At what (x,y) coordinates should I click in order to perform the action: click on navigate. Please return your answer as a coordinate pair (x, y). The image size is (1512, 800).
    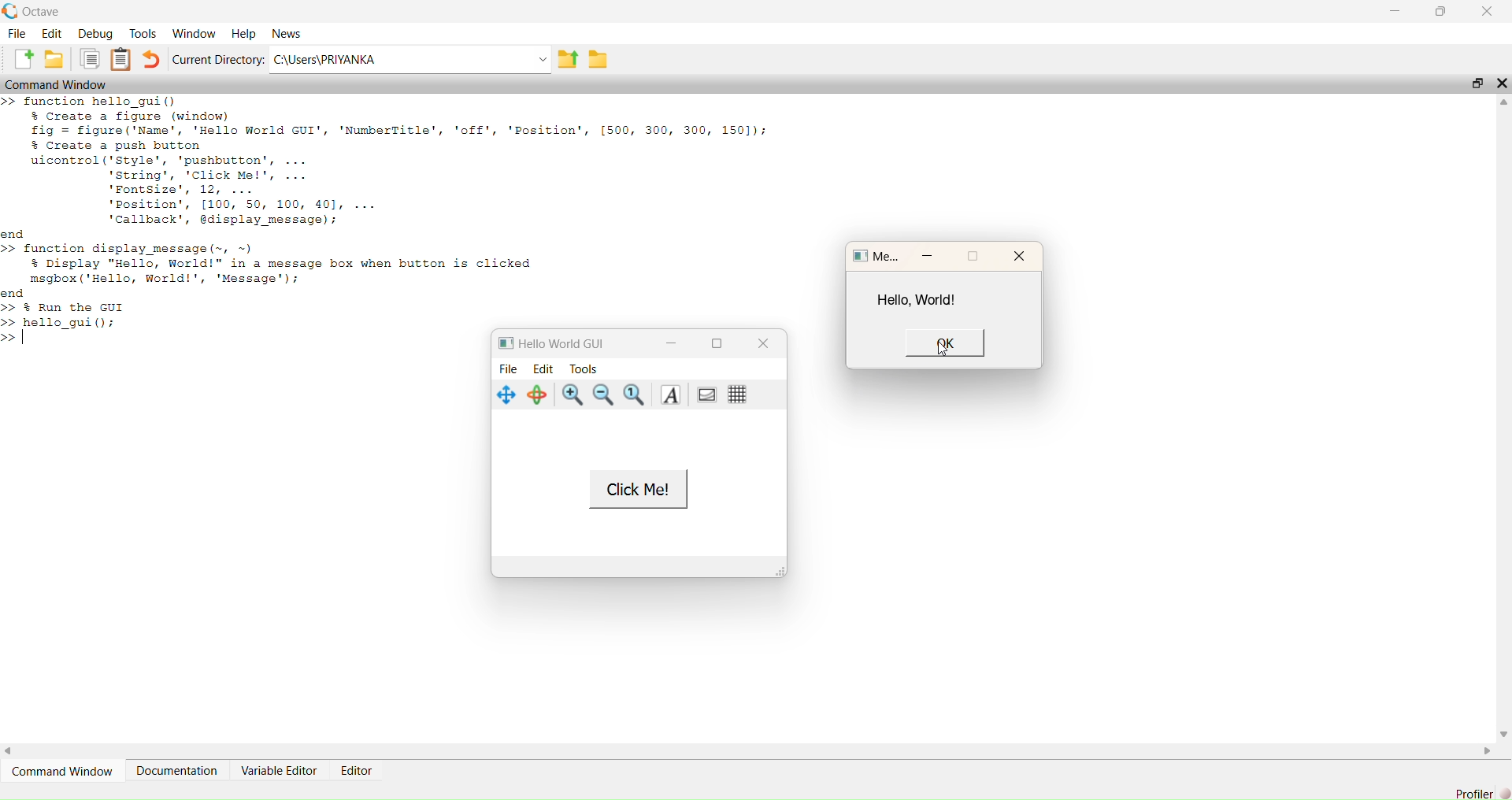
    Looking at the image, I should click on (504, 396).